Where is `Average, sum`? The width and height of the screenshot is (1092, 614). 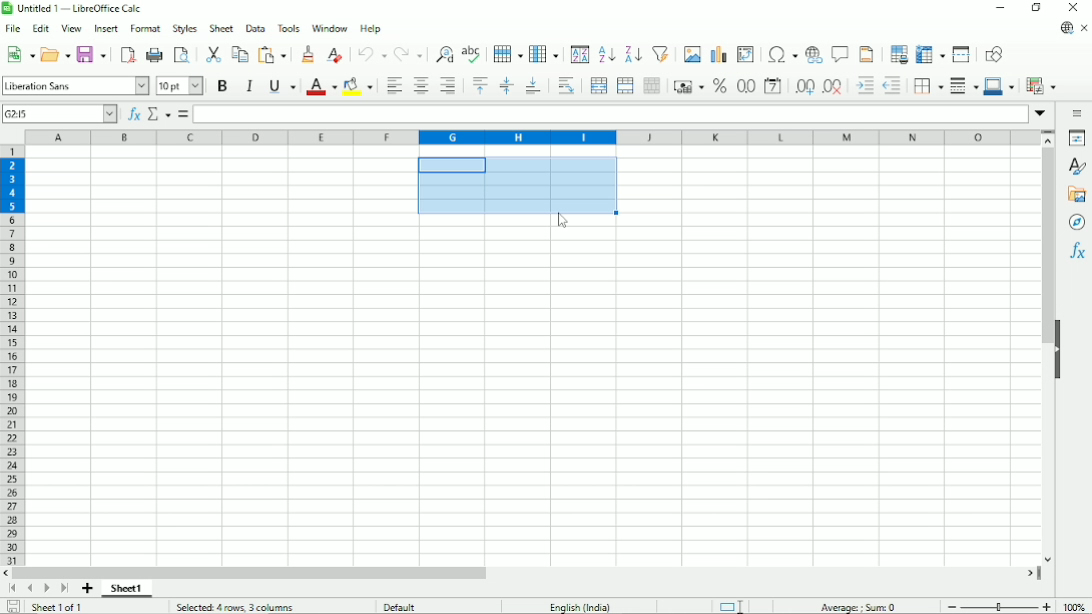 Average, sum is located at coordinates (860, 605).